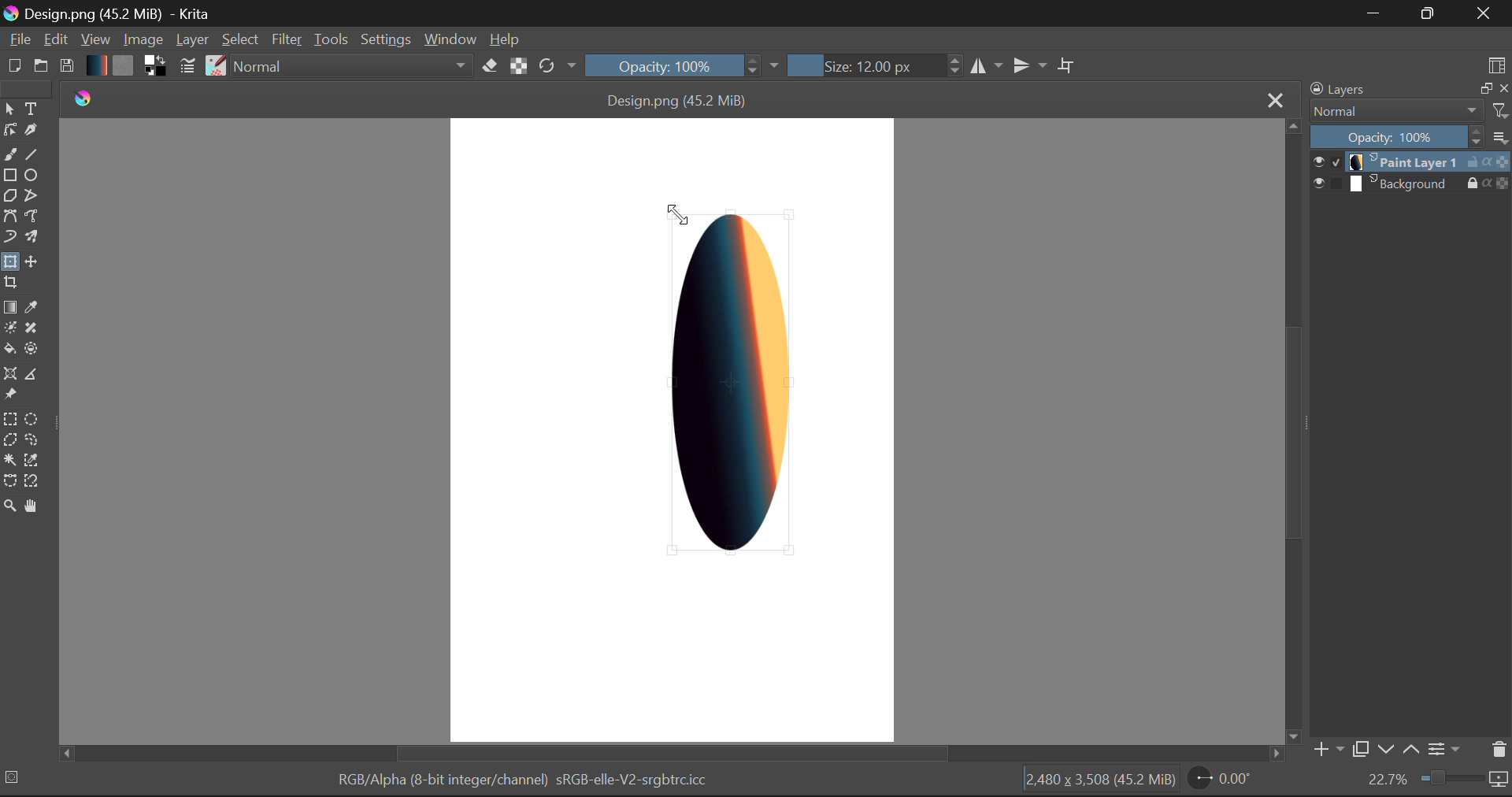 The height and width of the screenshot is (797, 1512). I want to click on Tools, so click(331, 38).